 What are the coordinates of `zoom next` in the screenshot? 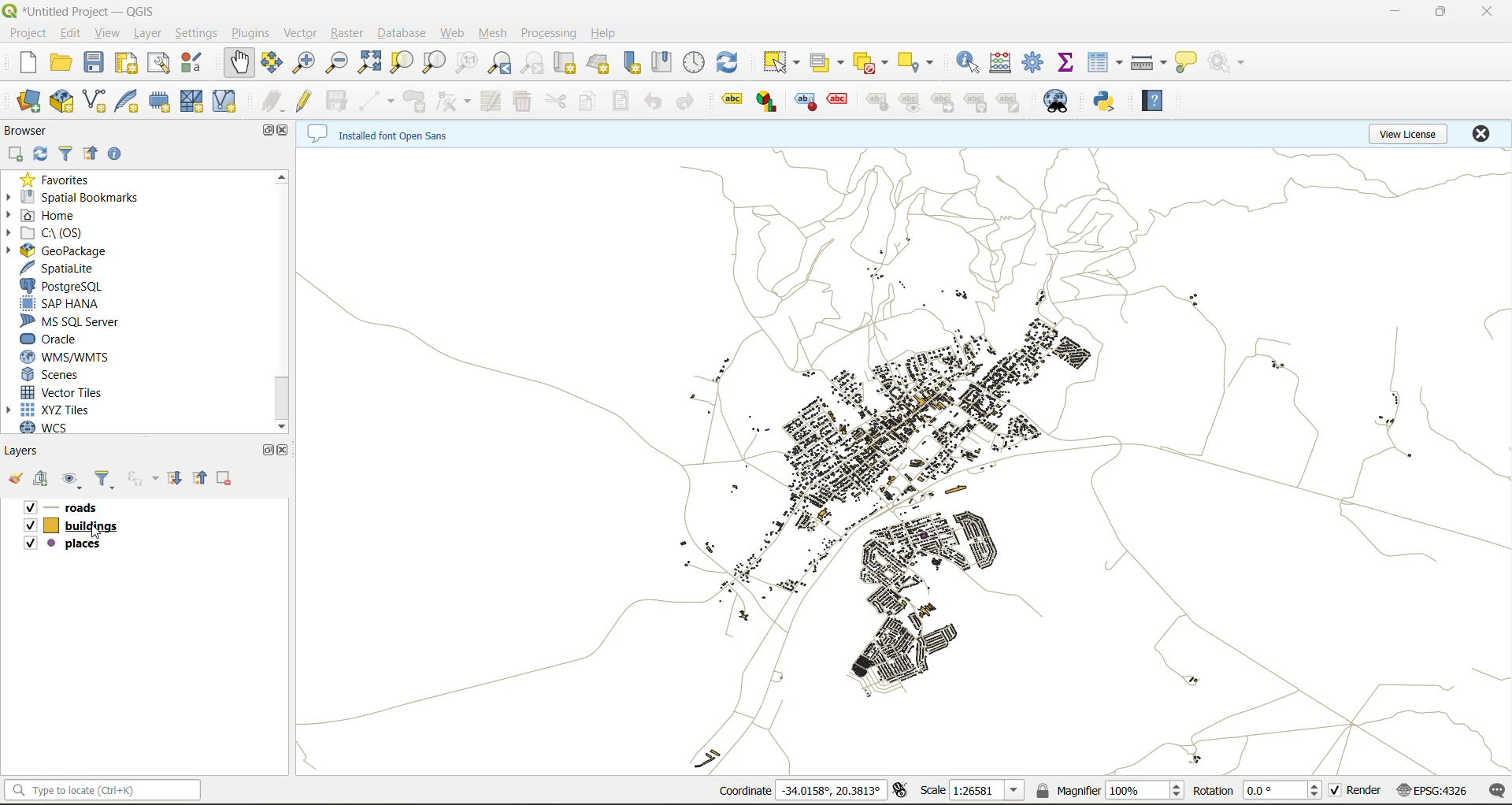 It's located at (537, 62).